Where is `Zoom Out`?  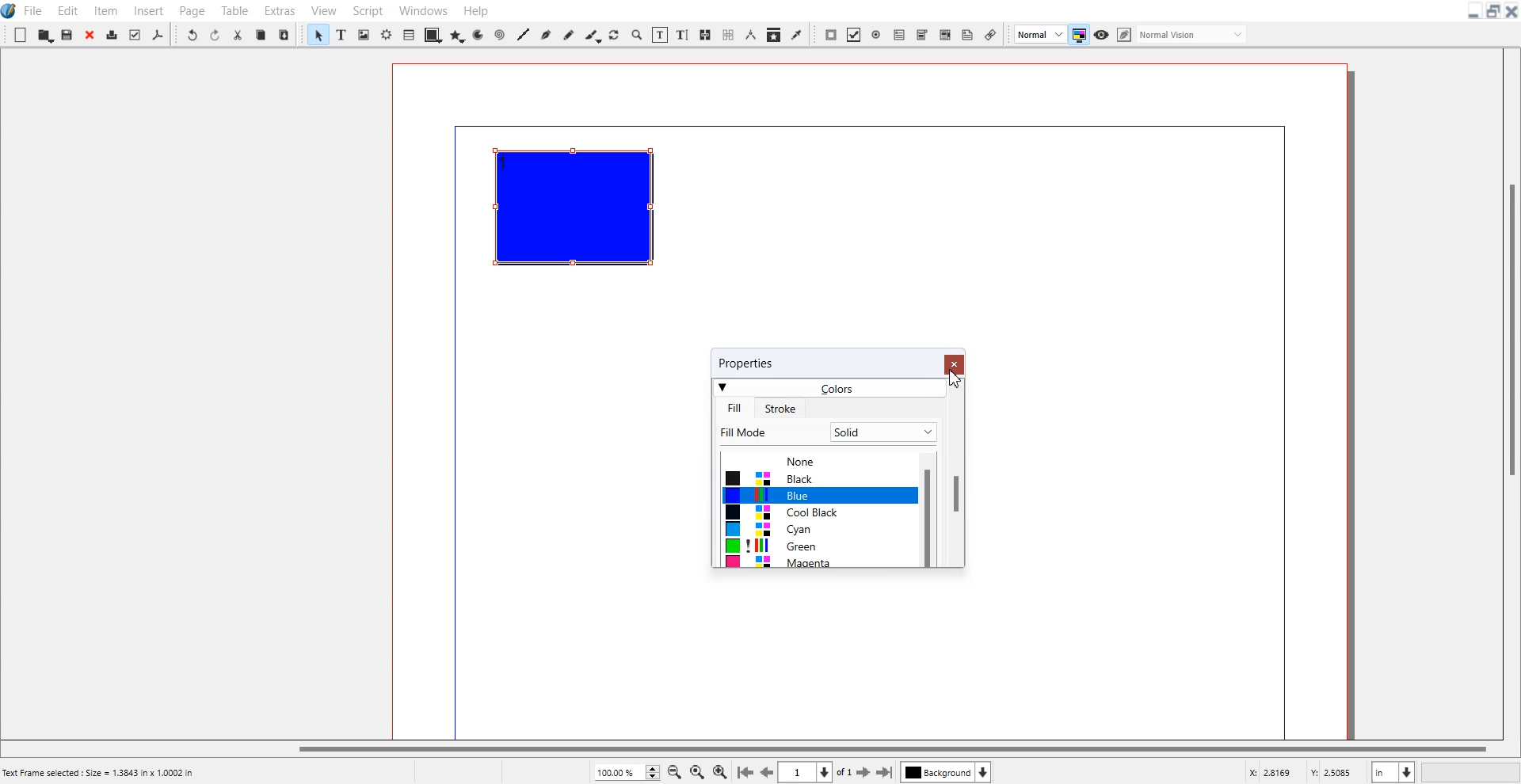 Zoom Out is located at coordinates (674, 771).